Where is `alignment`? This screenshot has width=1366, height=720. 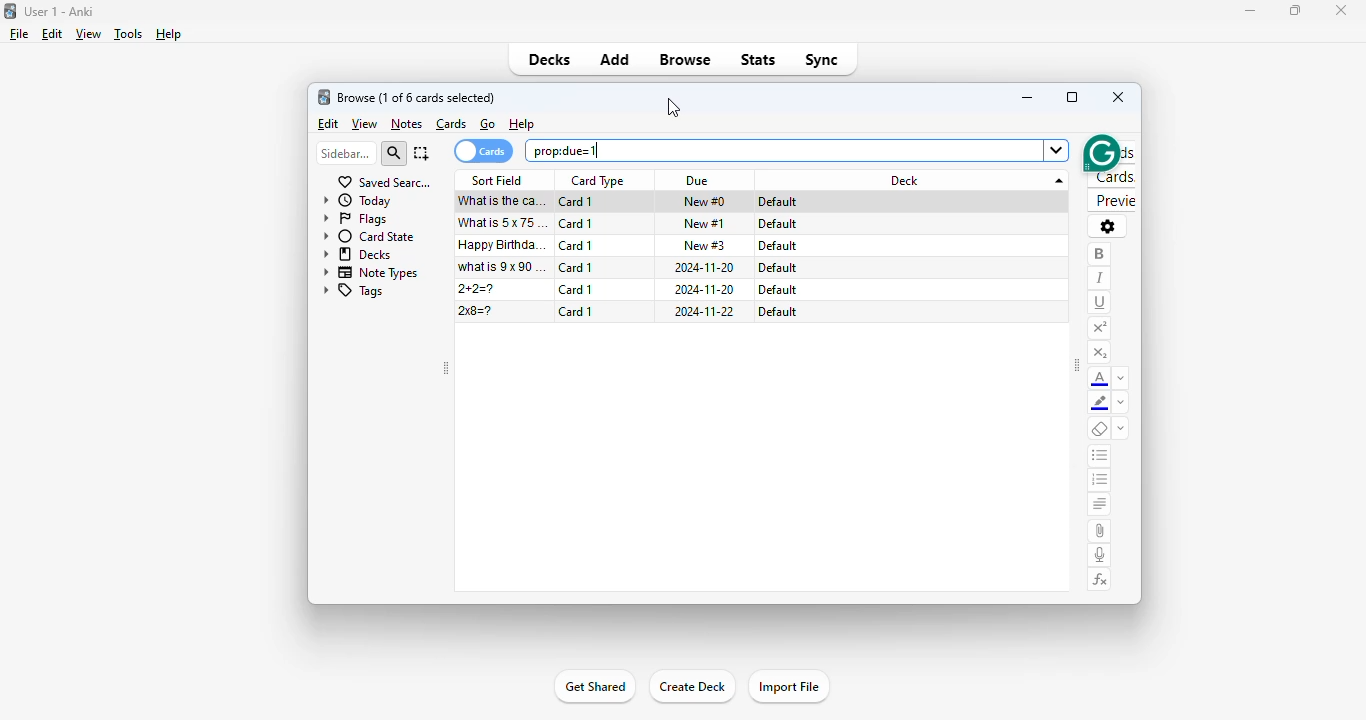
alignment is located at coordinates (1101, 505).